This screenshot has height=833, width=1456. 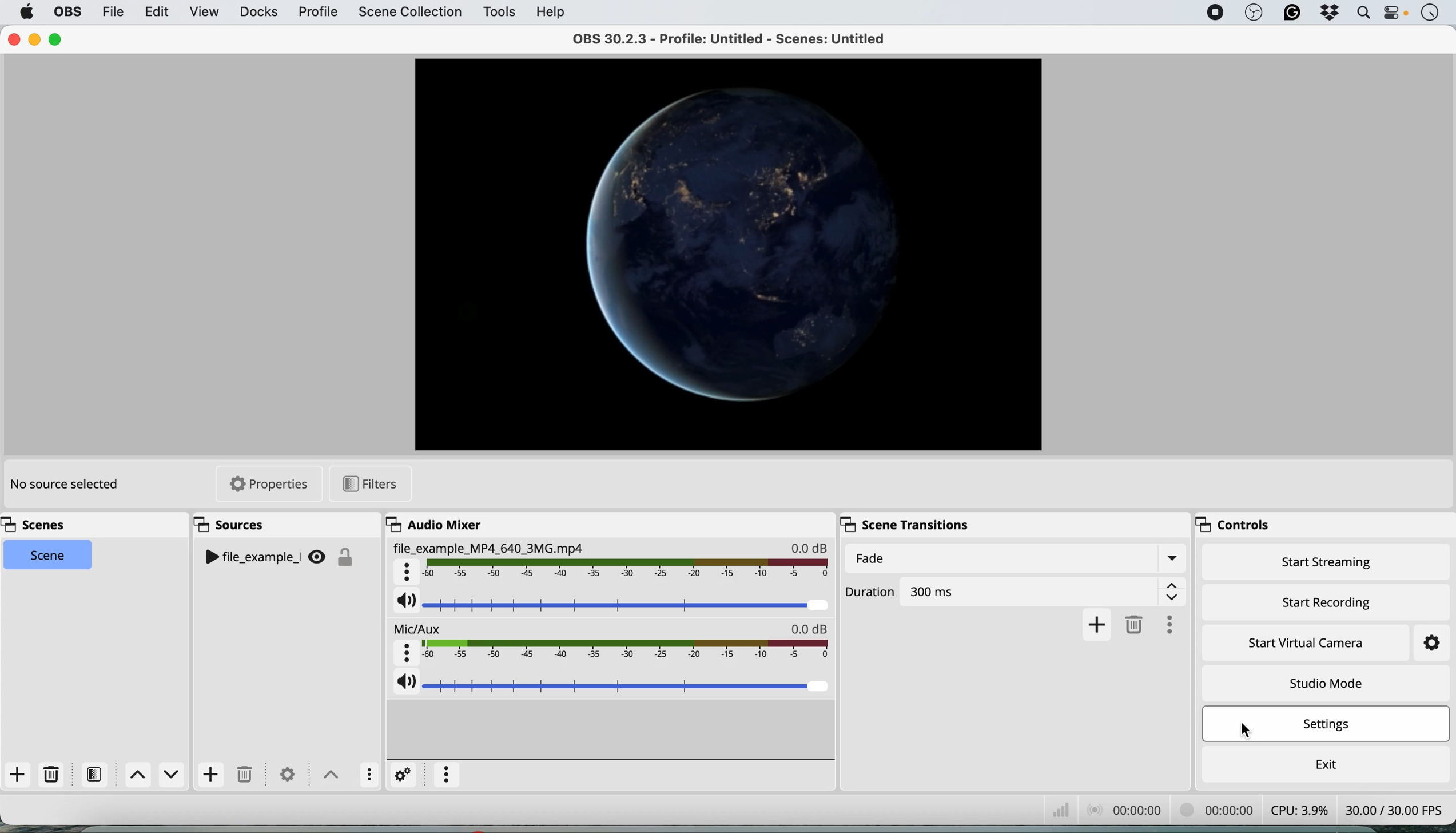 What do you see at coordinates (18, 775) in the screenshot?
I see `add scene` at bounding box center [18, 775].